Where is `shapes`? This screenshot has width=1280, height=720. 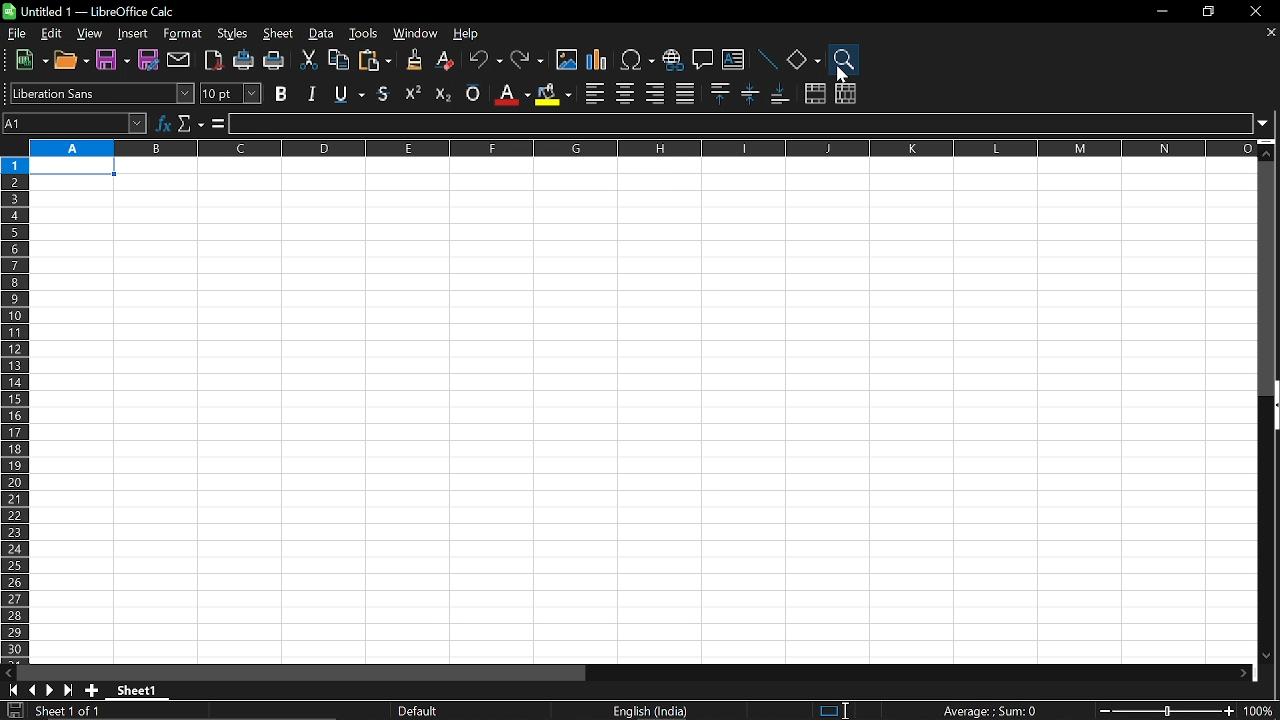 shapes is located at coordinates (803, 61).